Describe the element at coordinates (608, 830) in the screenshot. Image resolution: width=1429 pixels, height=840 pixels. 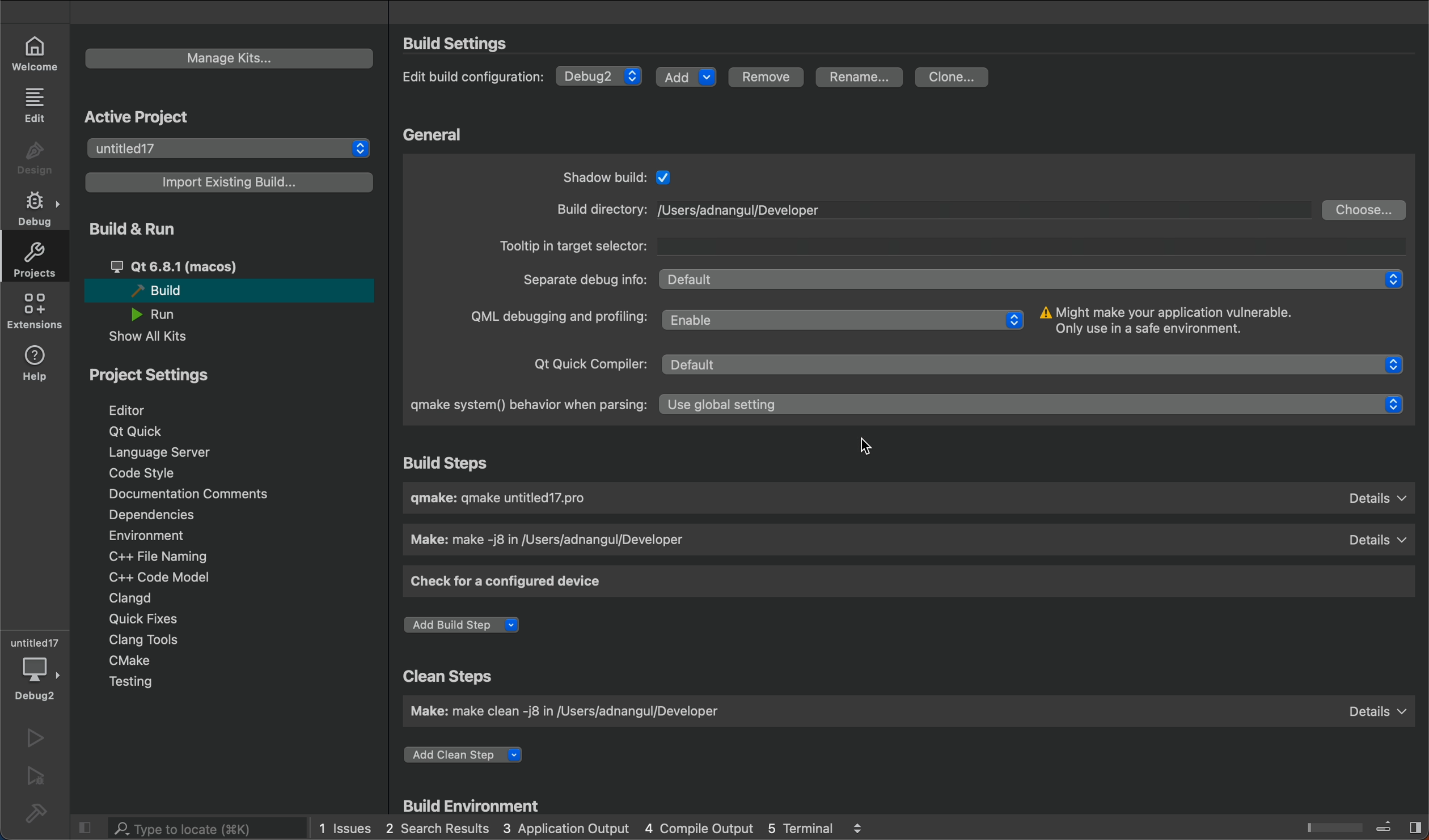
I see `logs` at that location.